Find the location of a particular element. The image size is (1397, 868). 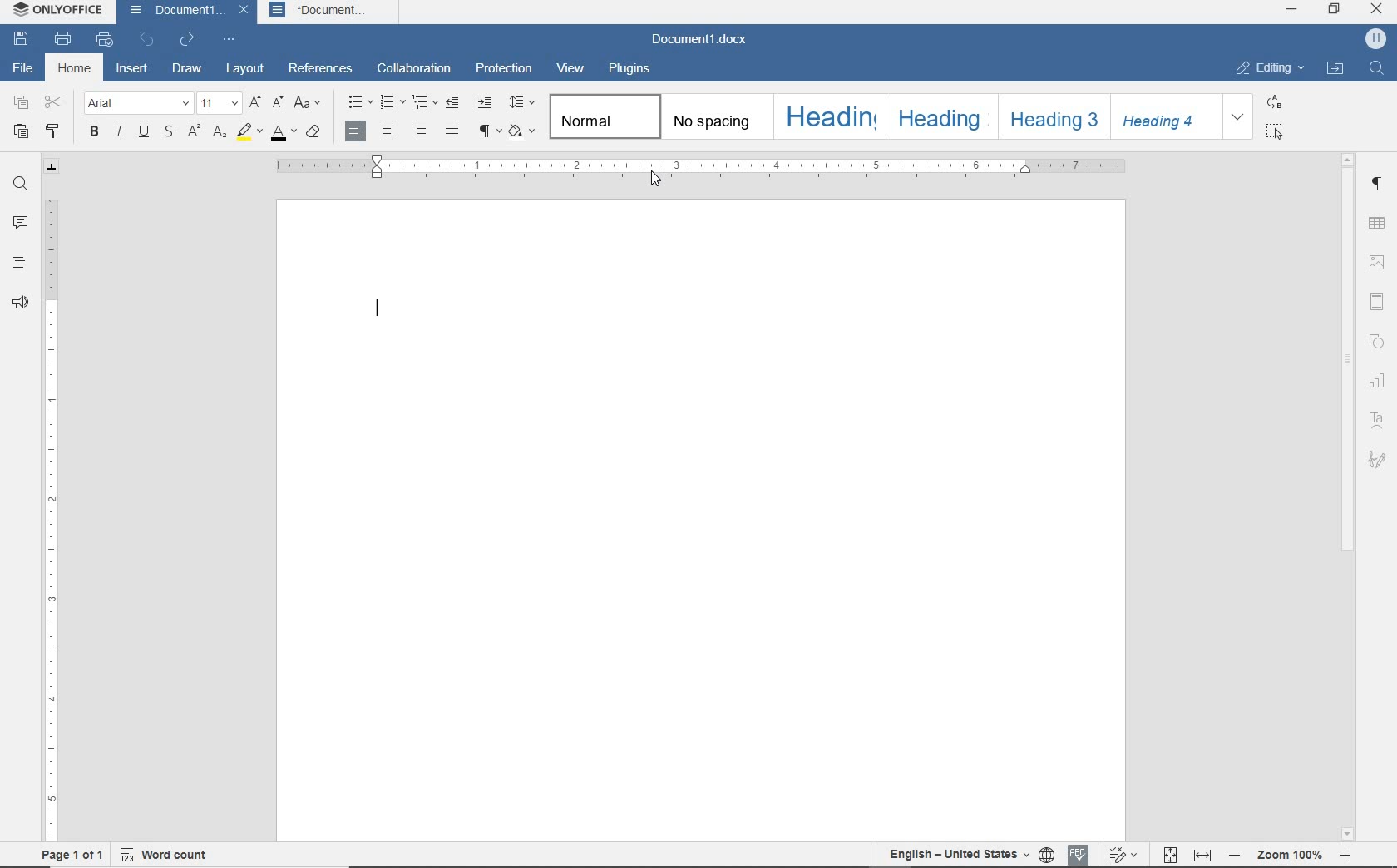

LAYOUT is located at coordinates (242, 68).